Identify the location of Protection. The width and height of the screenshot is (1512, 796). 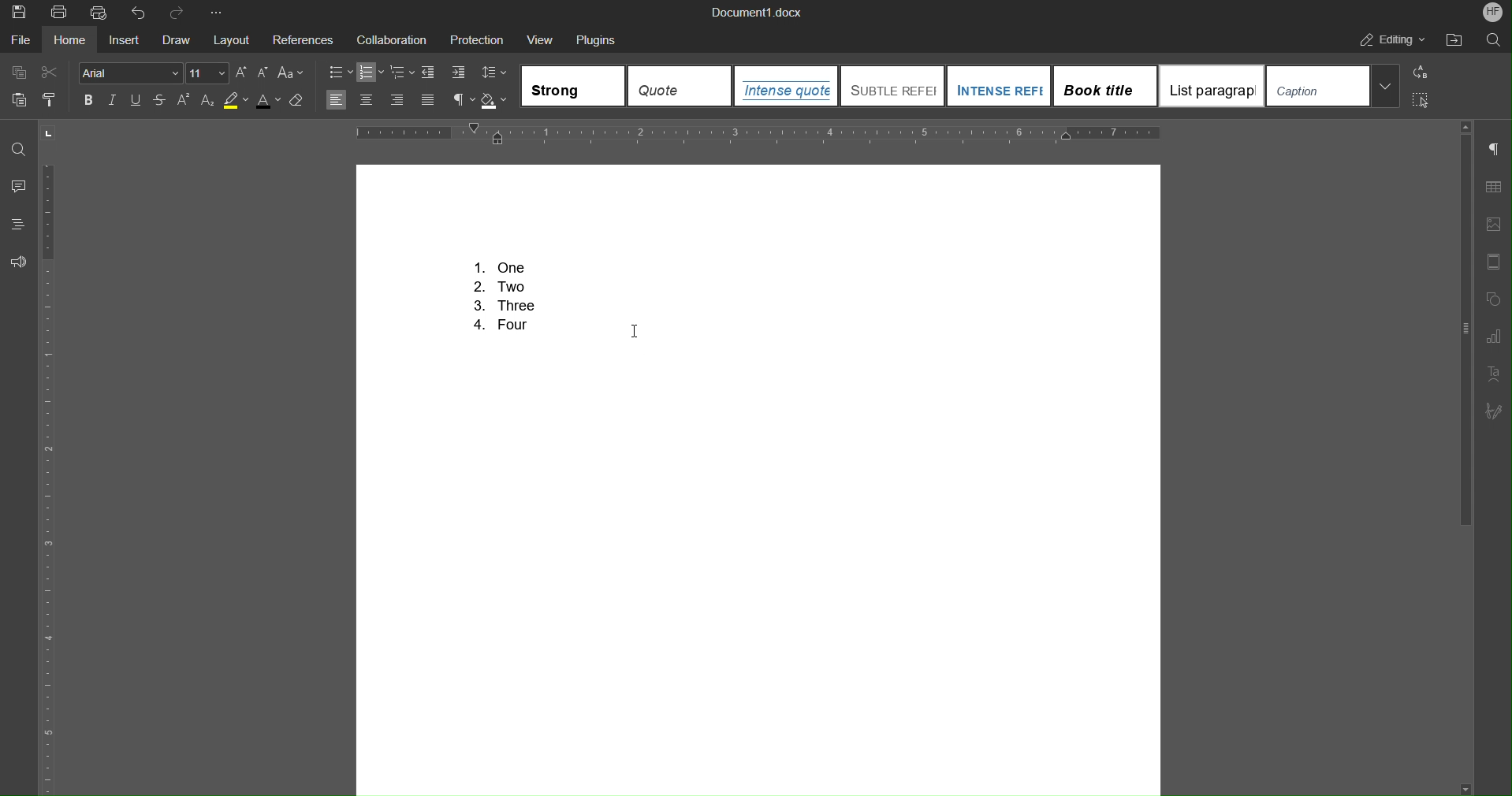
(476, 38).